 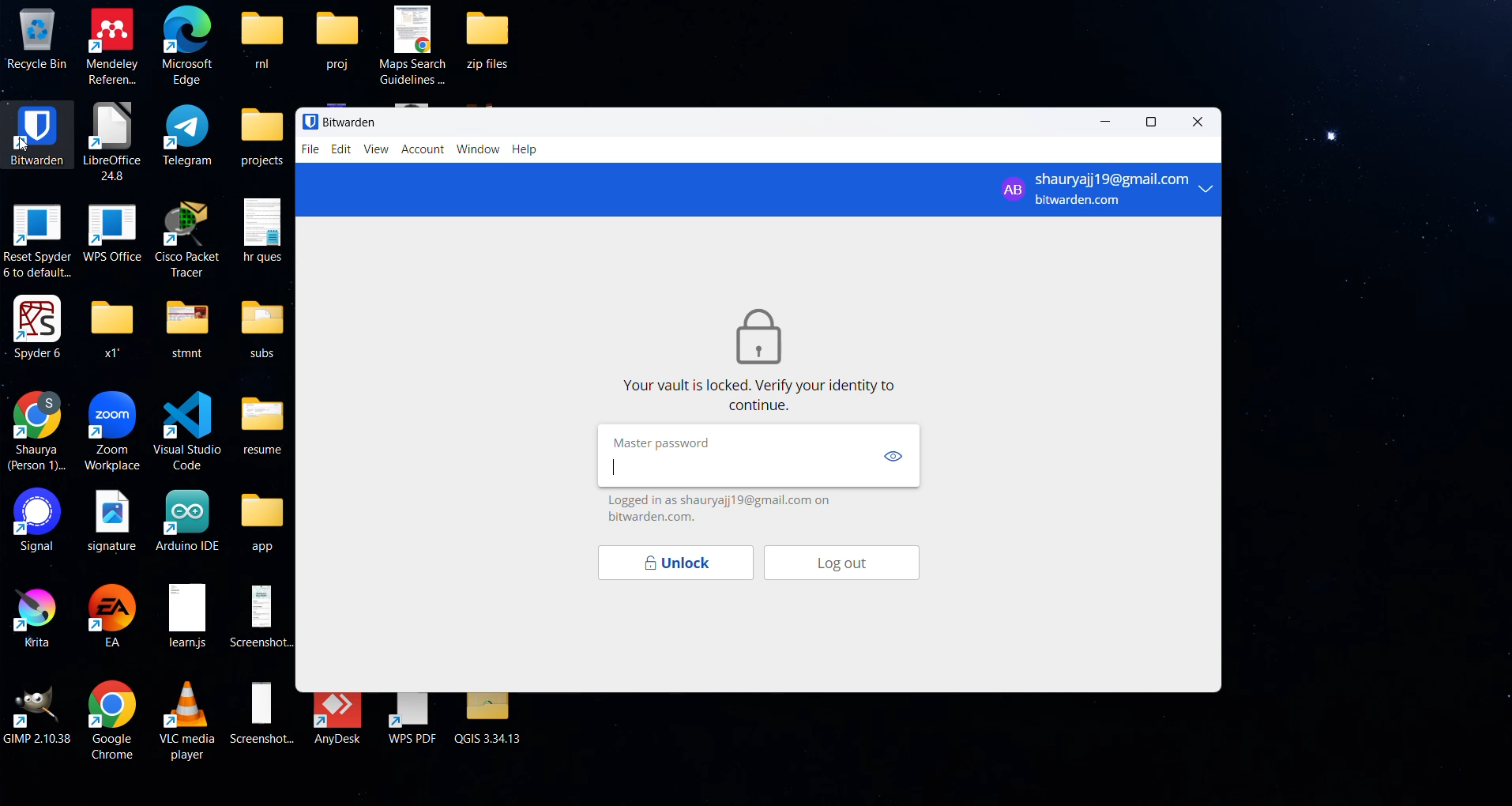 I want to click on minimize, so click(x=1108, y=124).